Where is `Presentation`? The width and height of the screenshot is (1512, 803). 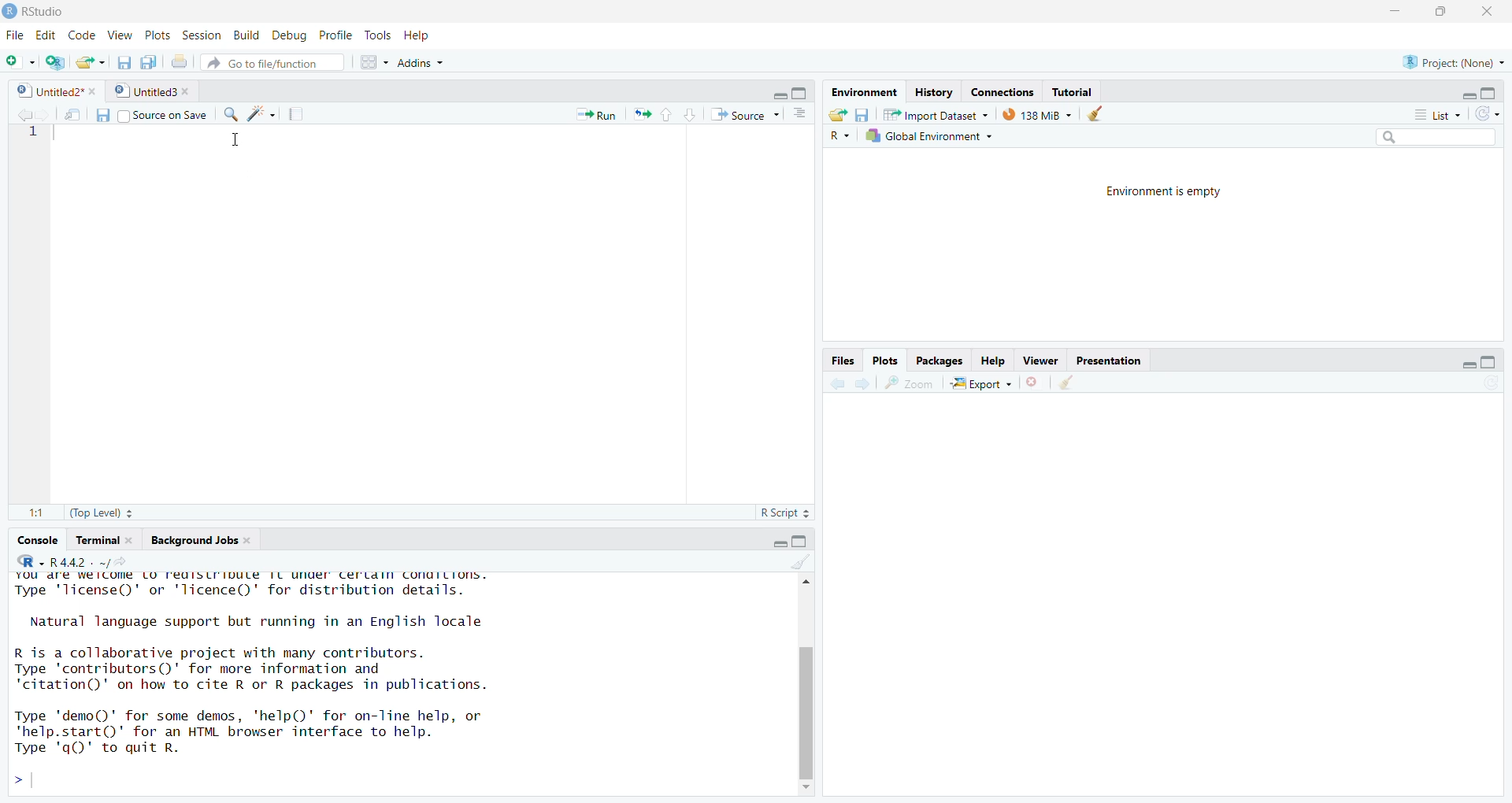
Presentation is located at coordinates (1118, 359).